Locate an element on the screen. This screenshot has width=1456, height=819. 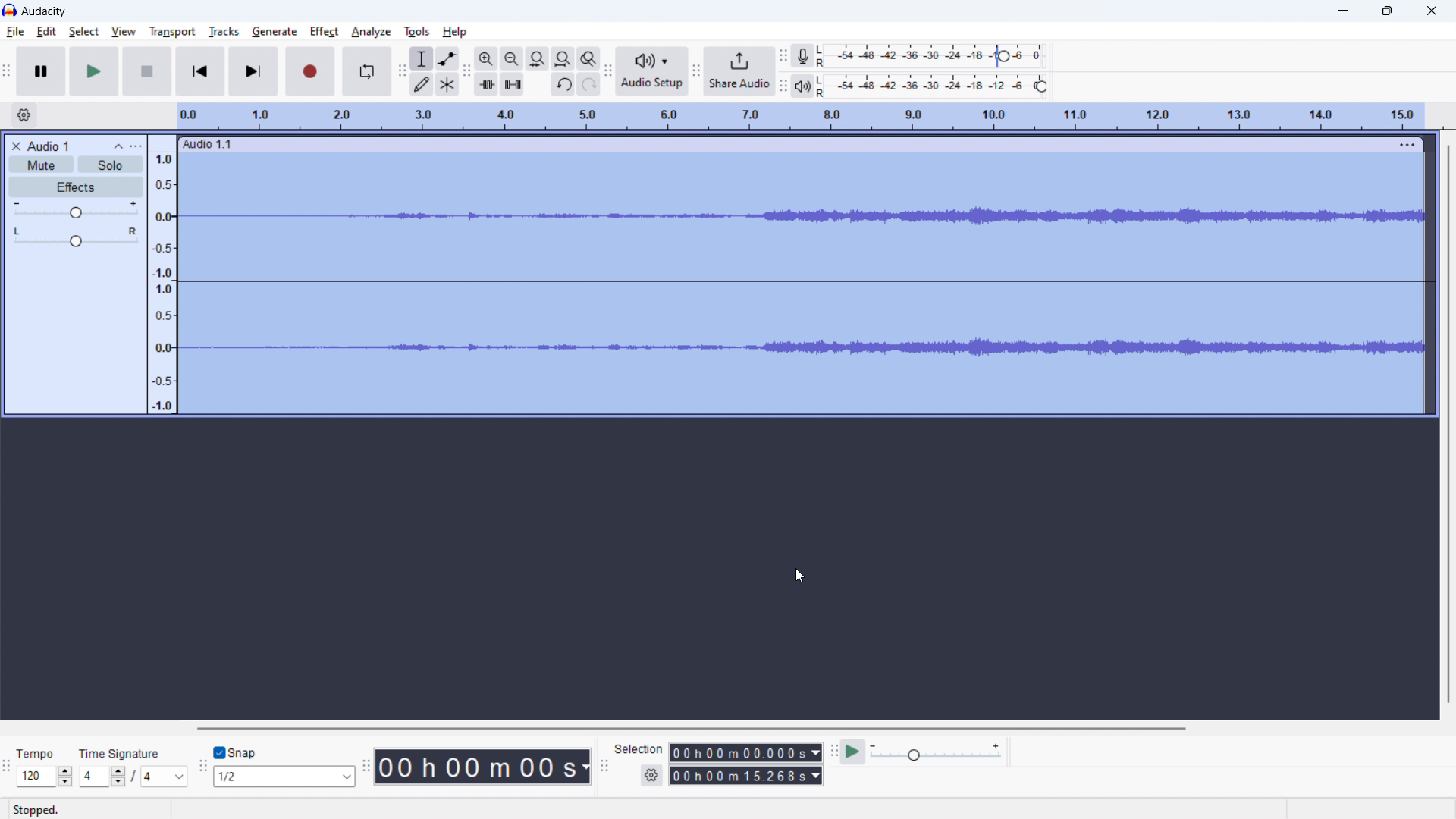
effect is located at coordinates (325, 32).